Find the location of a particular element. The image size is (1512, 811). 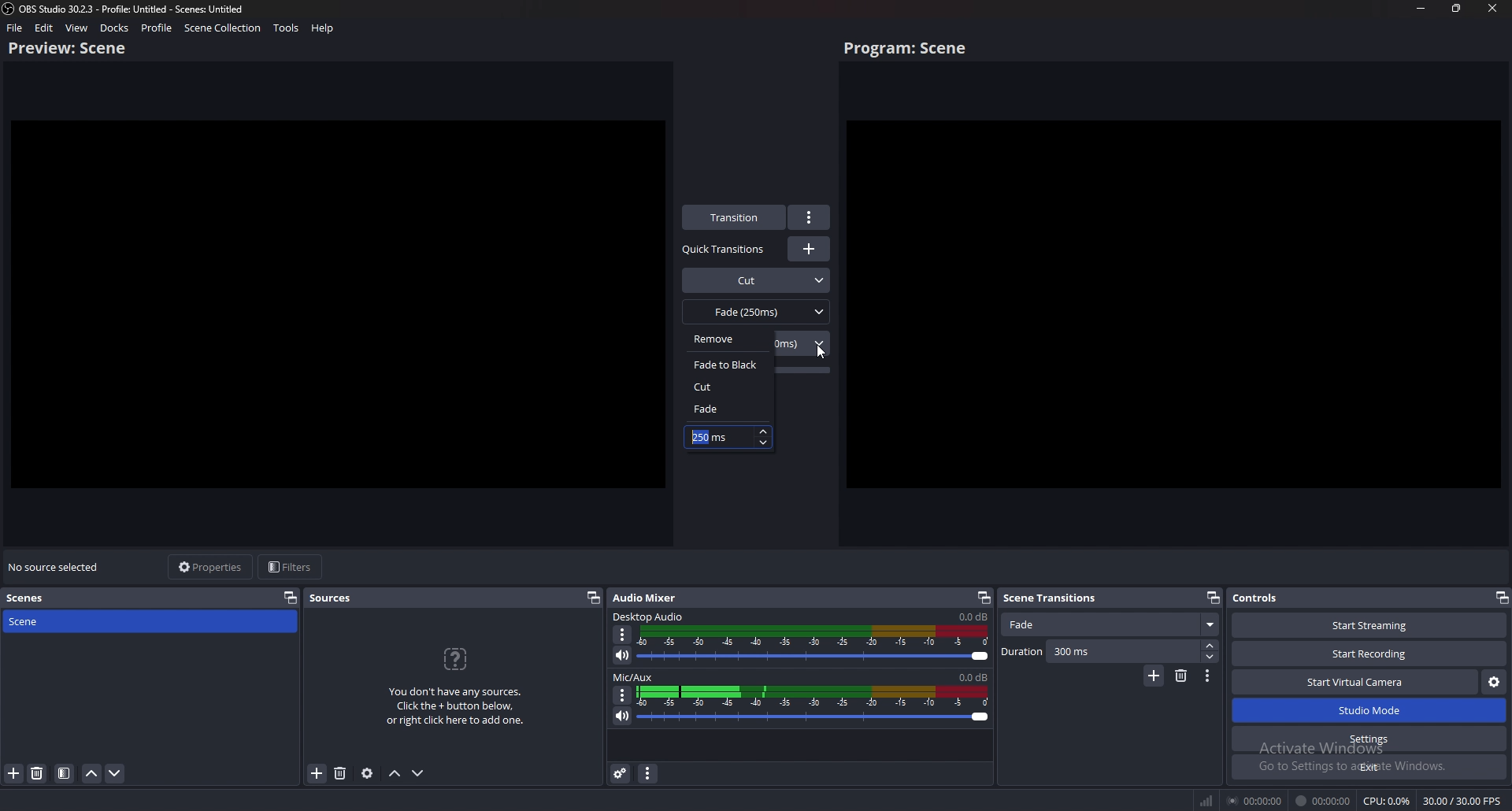

mute is located at coordinates (623, 716).